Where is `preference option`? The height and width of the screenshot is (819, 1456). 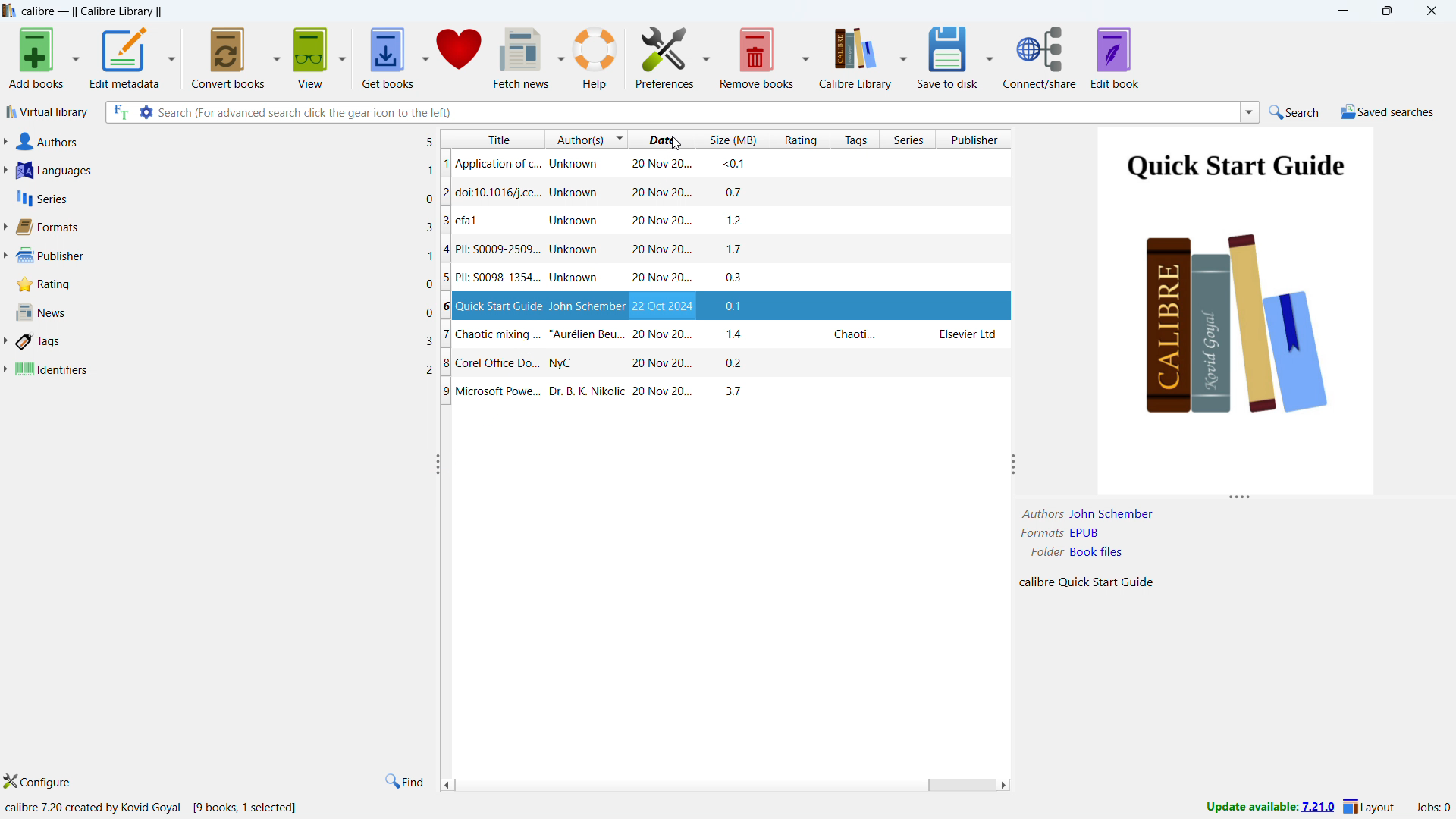
preference option is located at coordinates (705, 54).